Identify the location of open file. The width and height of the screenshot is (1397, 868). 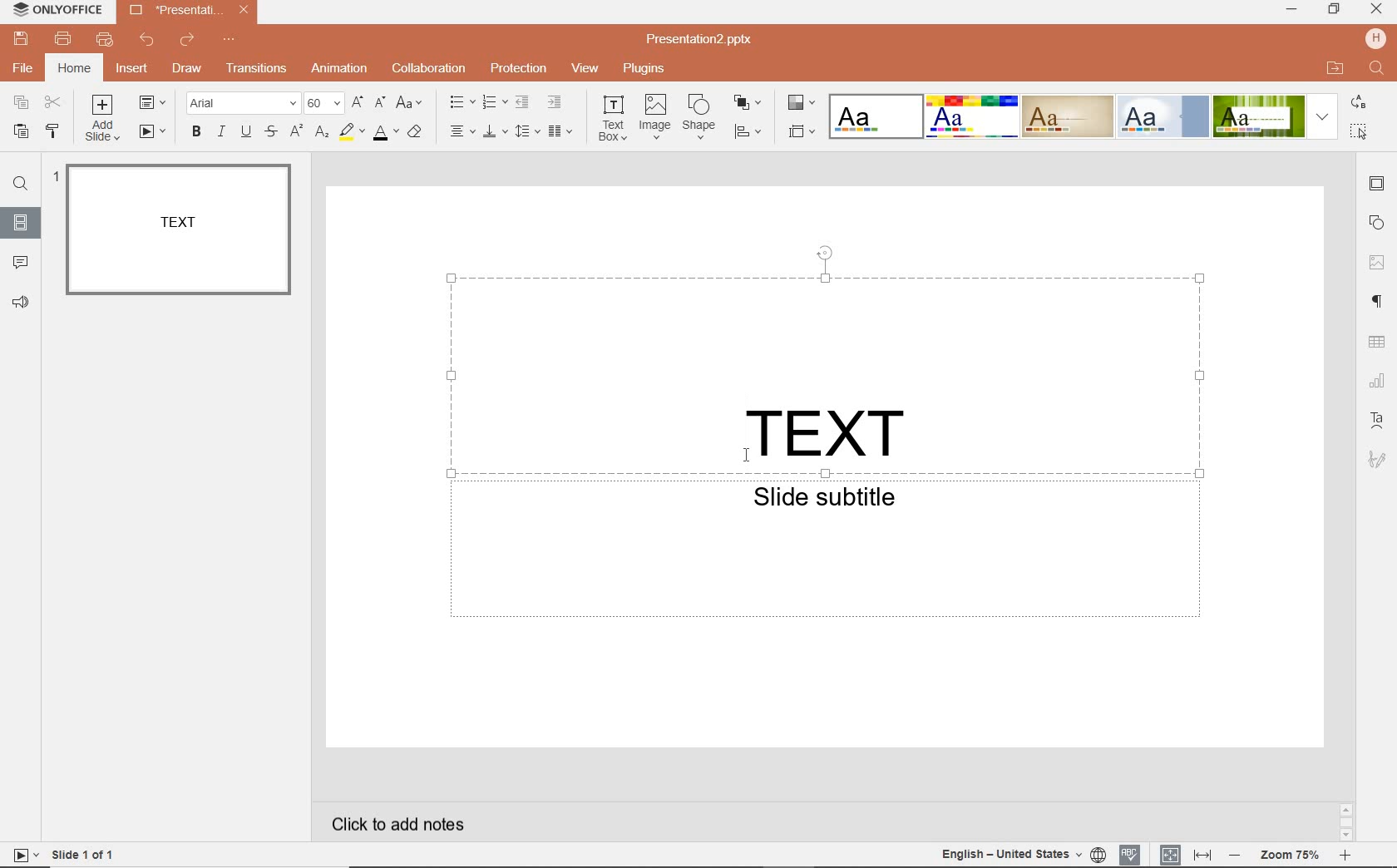
(1335, 68).